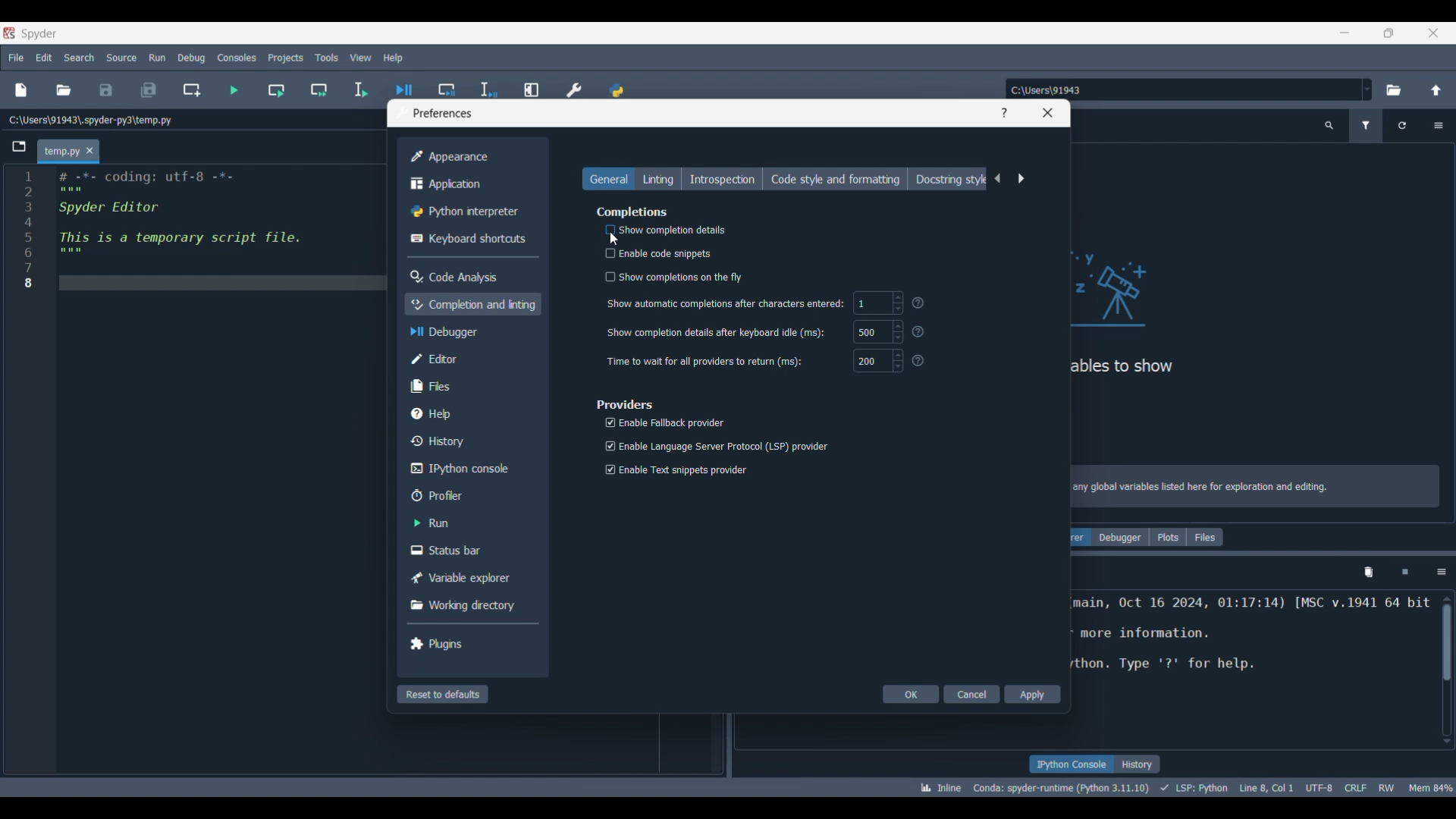  Describe the element at coordinates (61, 152) in the screenshot. I see `Current tab` at that location.